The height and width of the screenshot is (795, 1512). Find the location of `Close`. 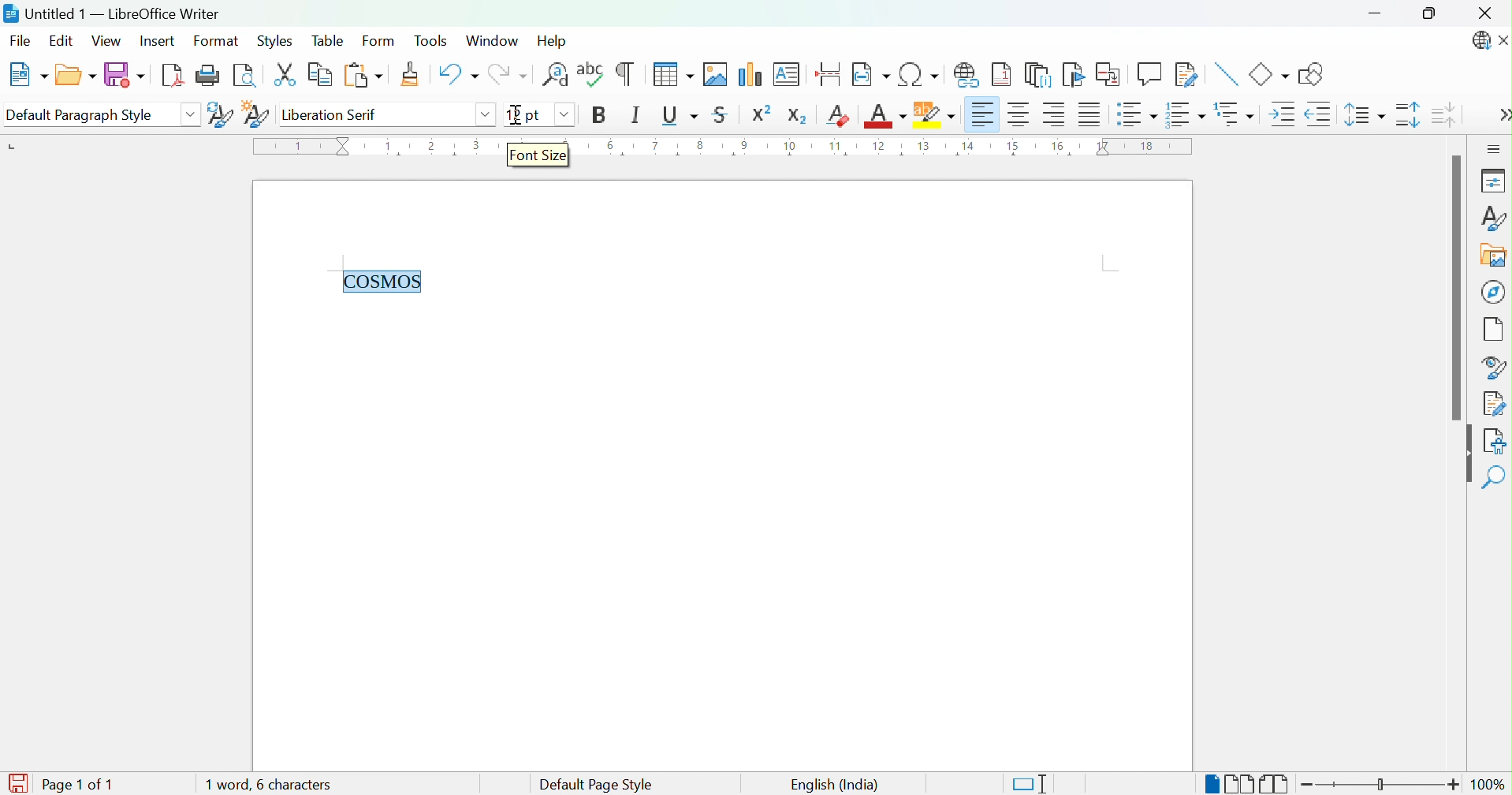

Close is located at coordinates (1488, 12).